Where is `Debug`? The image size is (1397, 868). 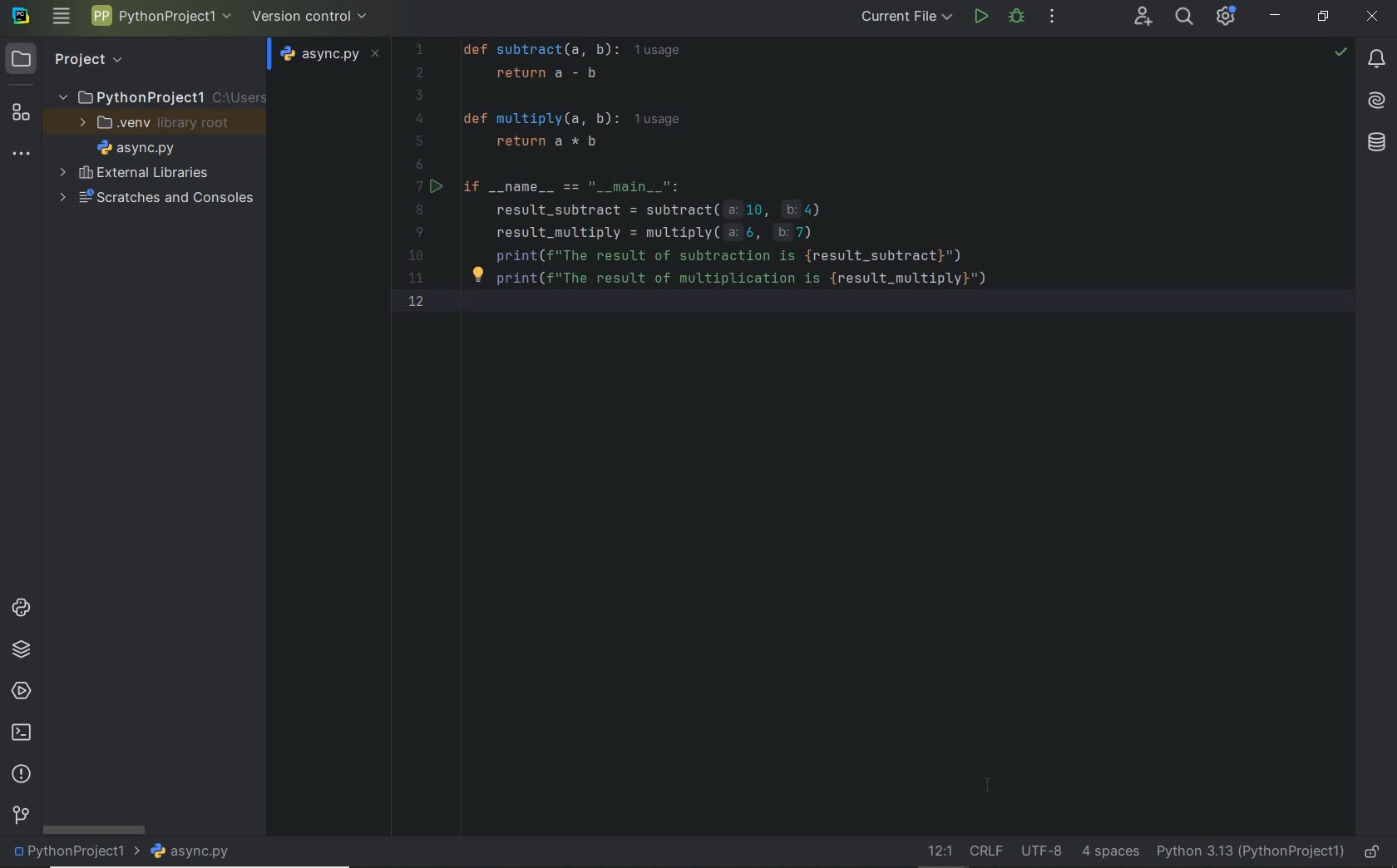 Debug is located at coordinates (1017, 17).